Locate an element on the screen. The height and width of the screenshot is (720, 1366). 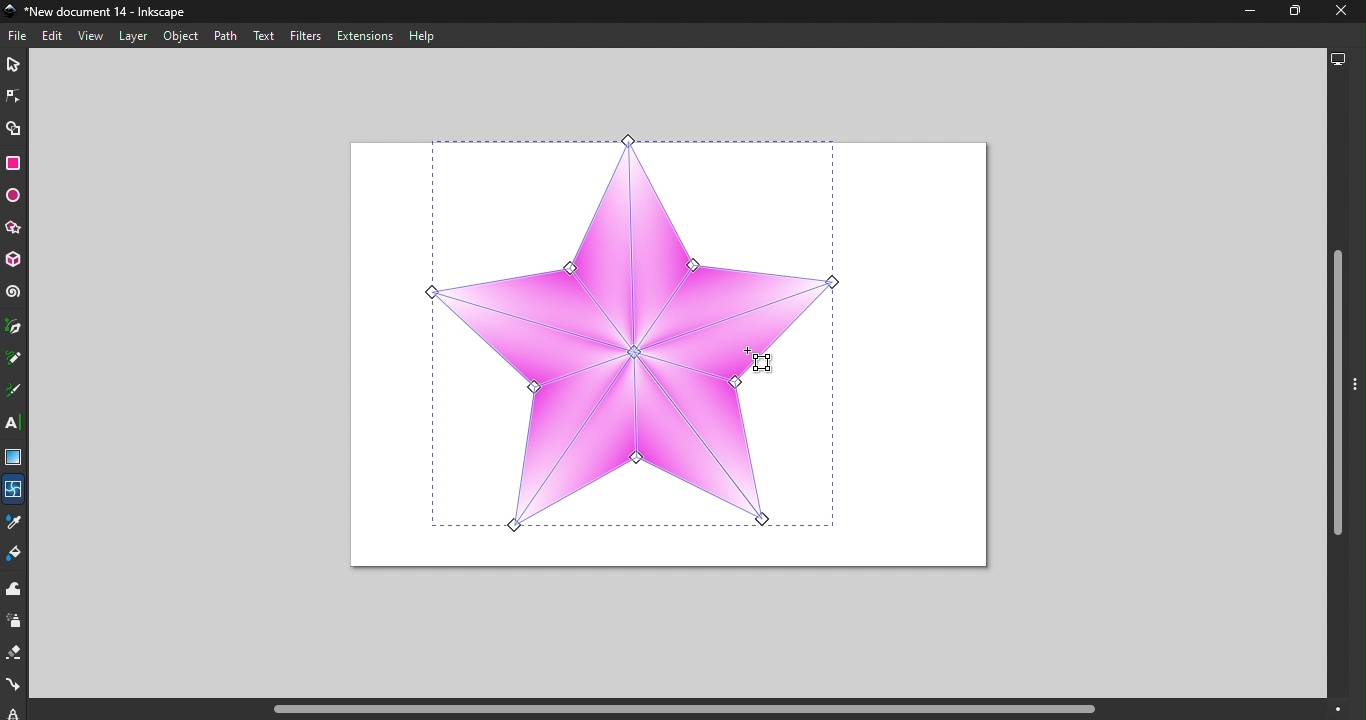
Ellipse/Arc tool is located at coordinates (15, 196).